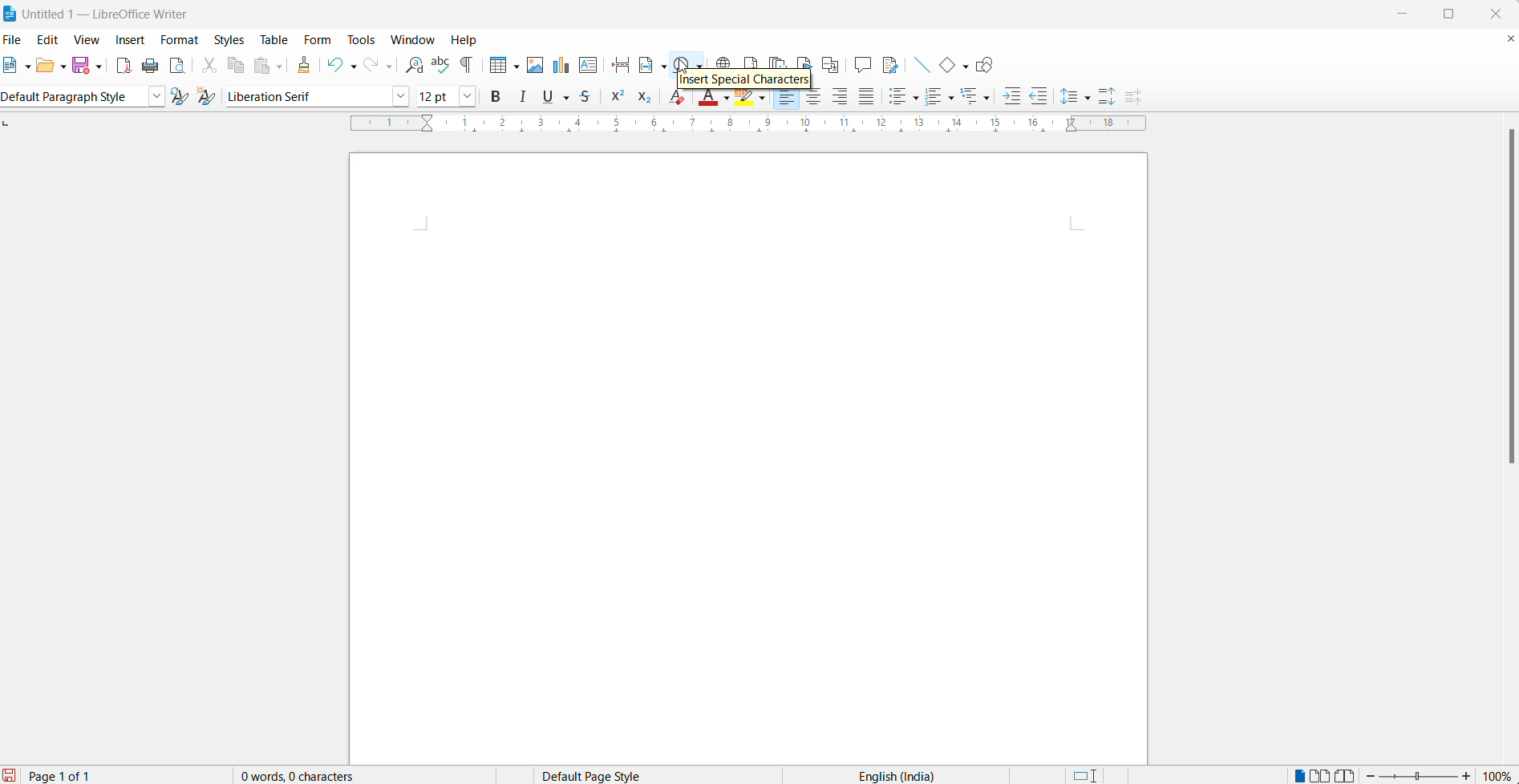  I want to click on page breal, so click(617, 64).